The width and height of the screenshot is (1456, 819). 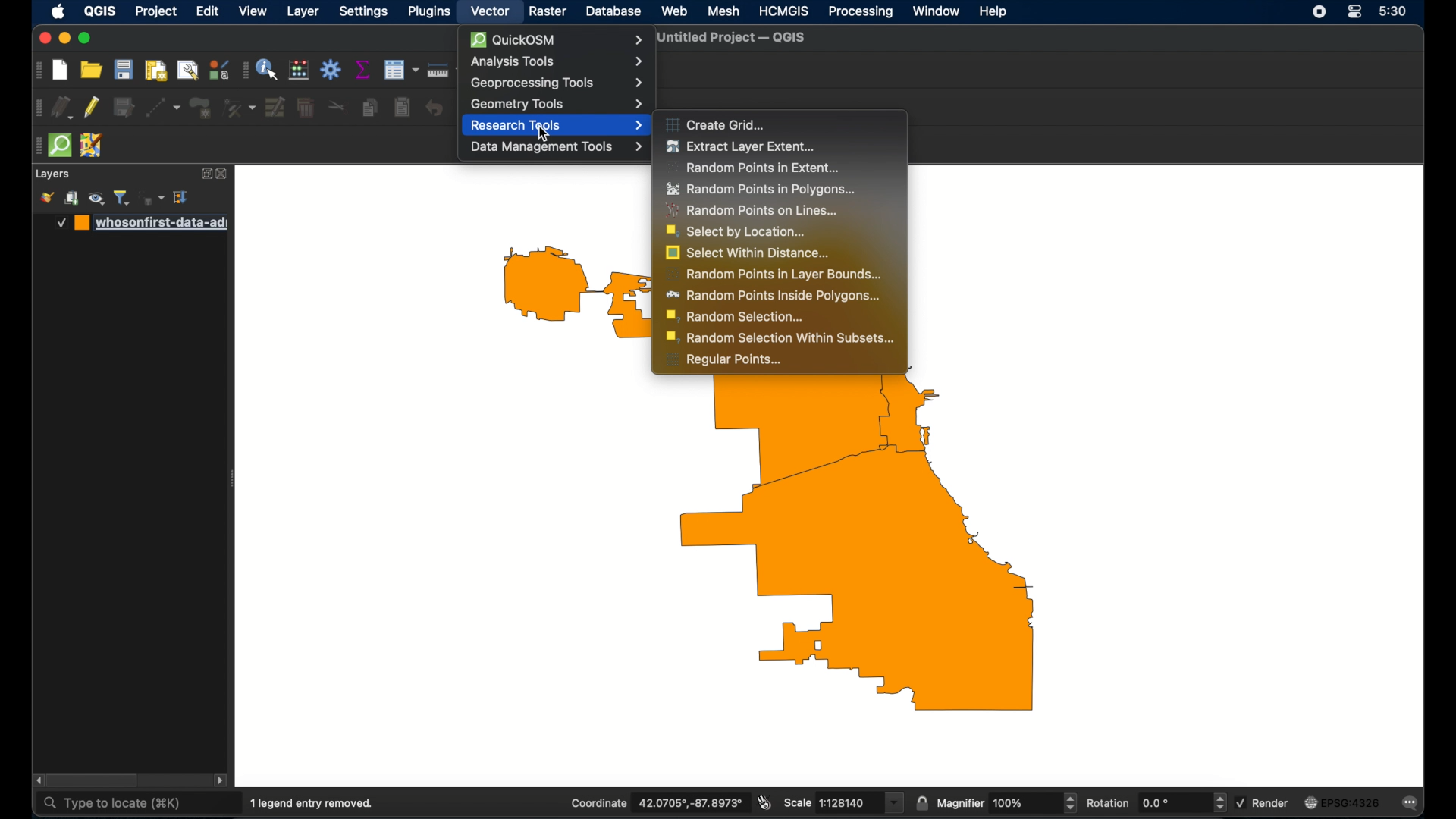 I want to click on close, so click(x=224, y=174).